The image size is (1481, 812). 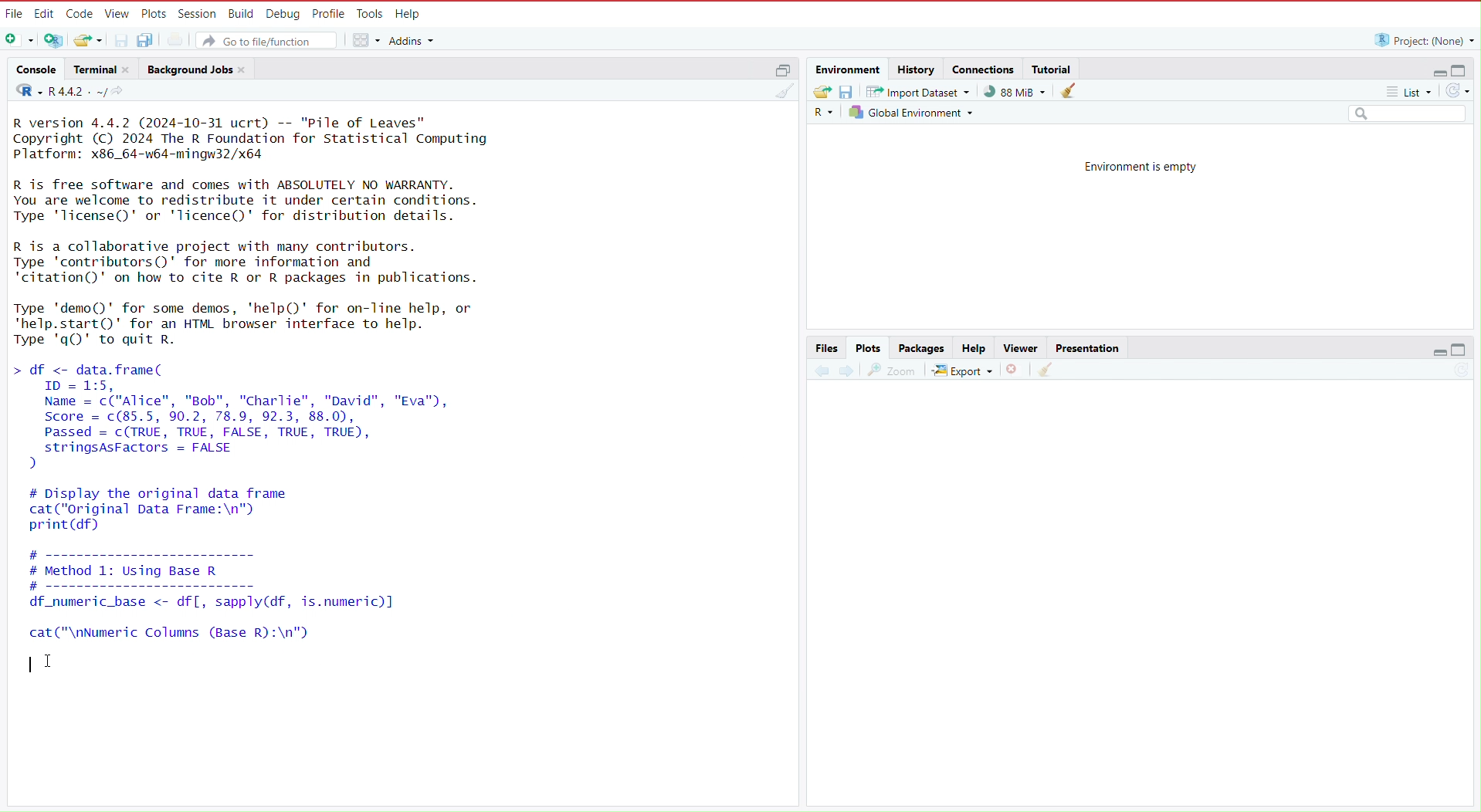 What do you see at coordinates (819, 92) in the screenshot?
I see `Load workspace` at bounding box center [819, 92].